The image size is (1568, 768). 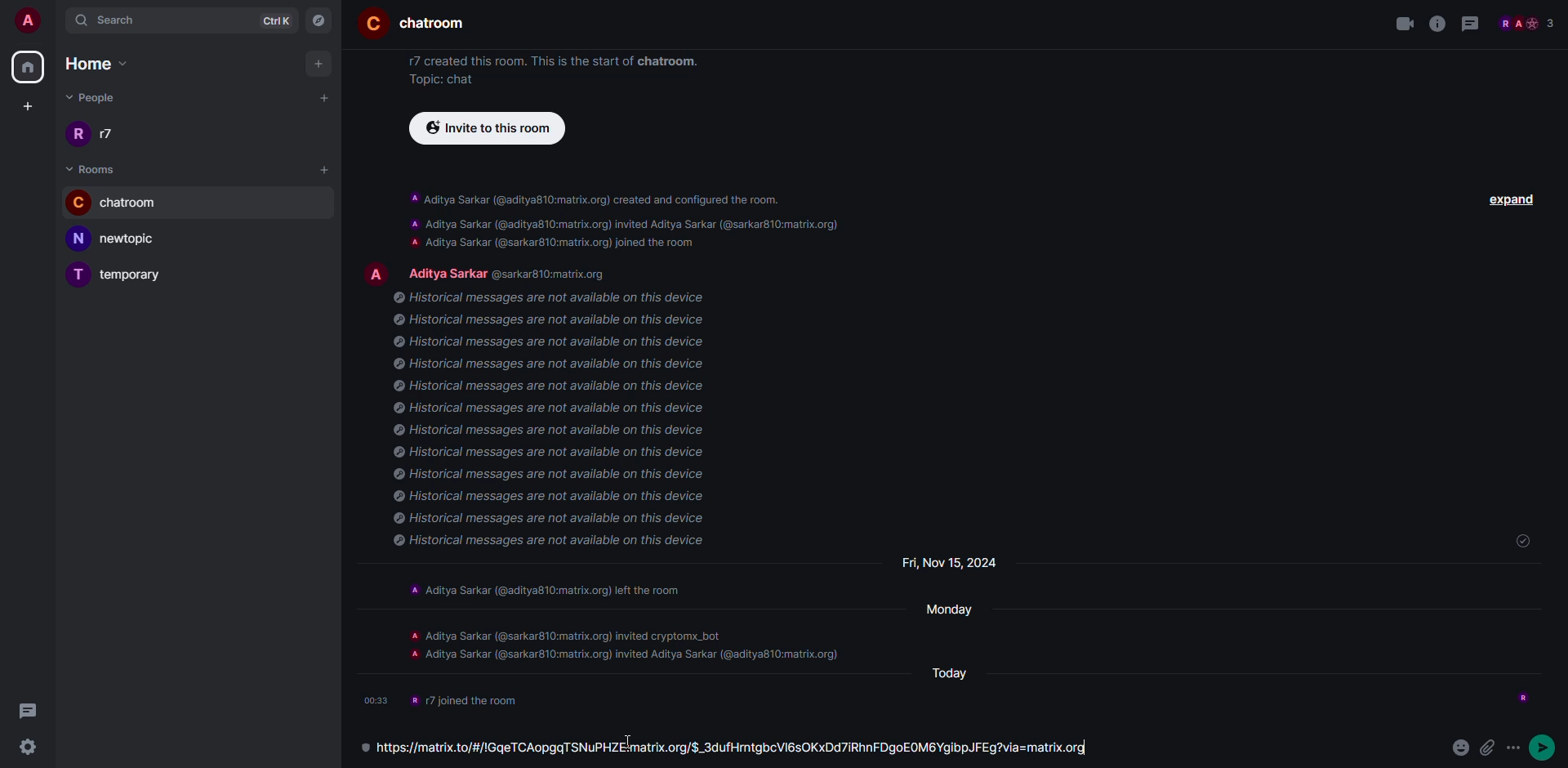 What do you see at coordinates (516, 271) in the screenshot?
I see `people` at bounding box center [516, 271].